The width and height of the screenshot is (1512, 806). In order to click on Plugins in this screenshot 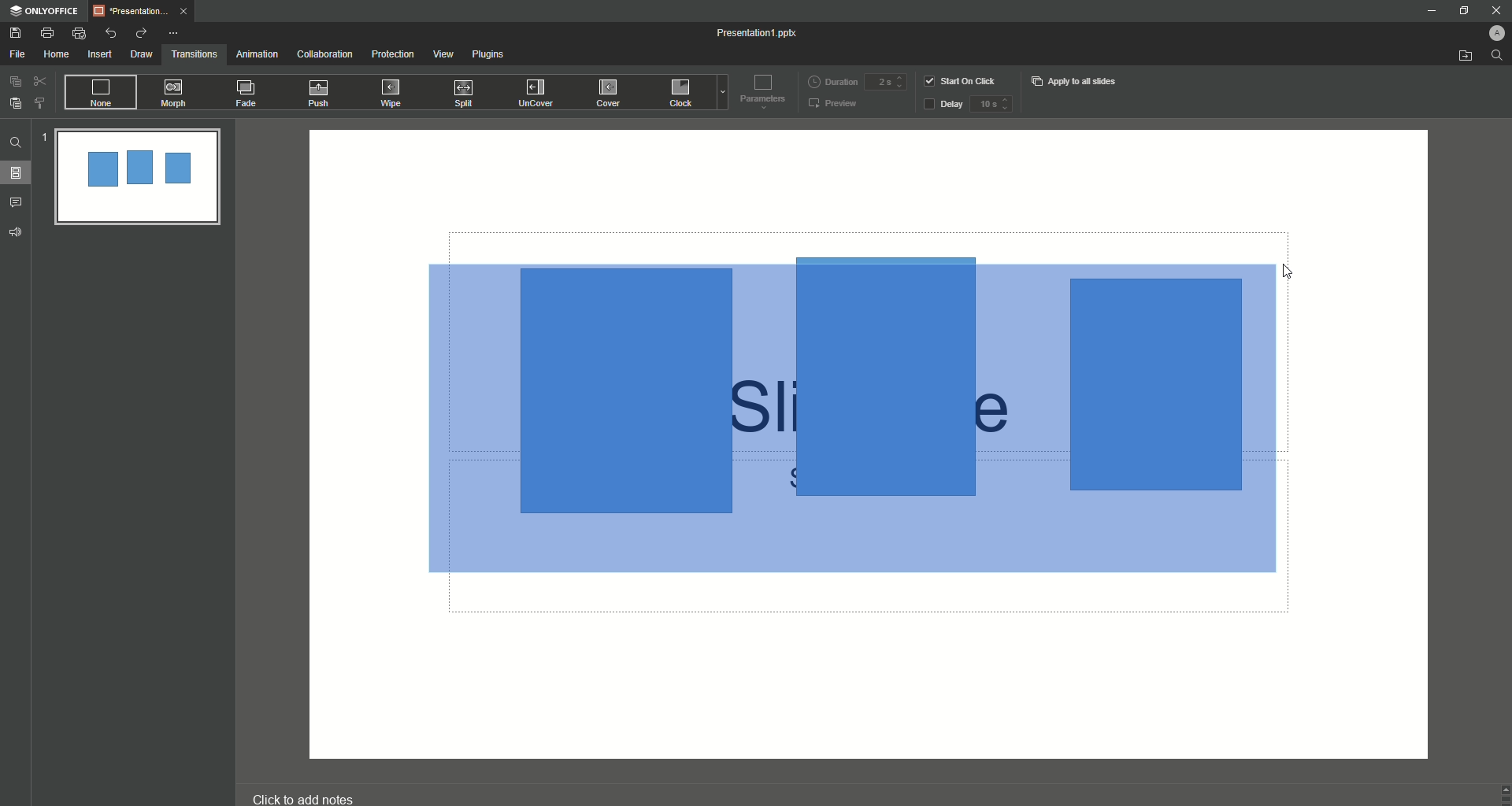, I will do `click(491, 57)`.